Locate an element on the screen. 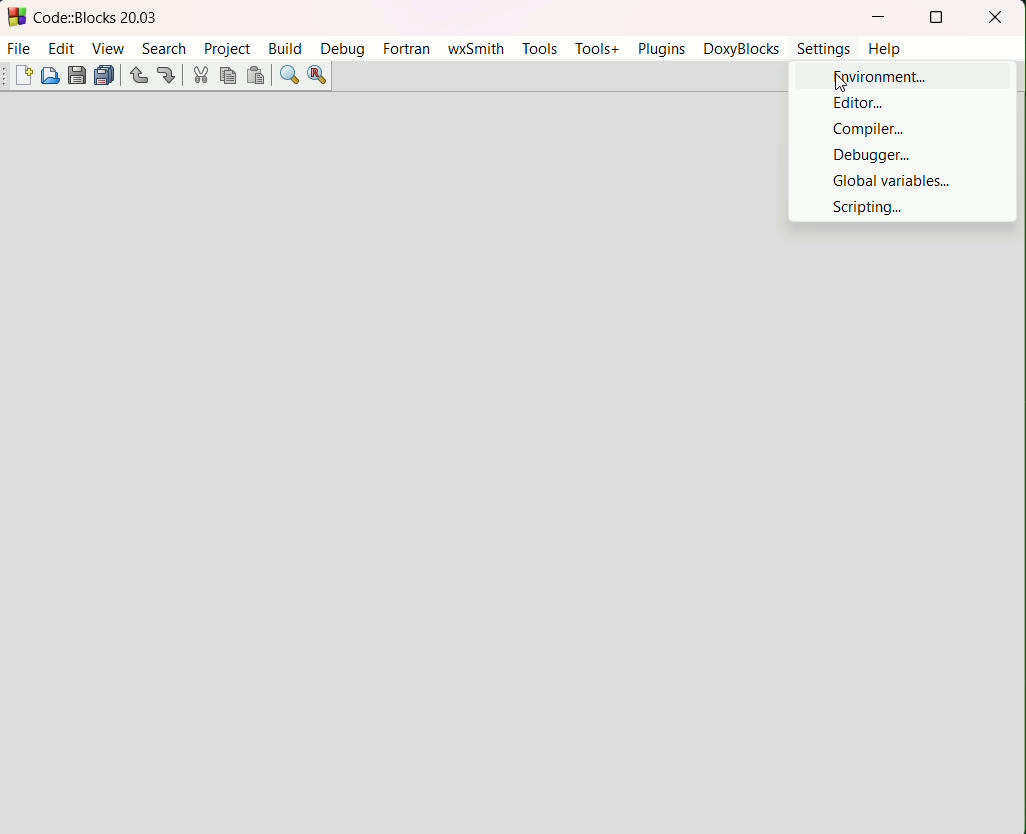 The height and width of the screenshot is (834, 1026). wxsmith is located at coordinates (477, 49).